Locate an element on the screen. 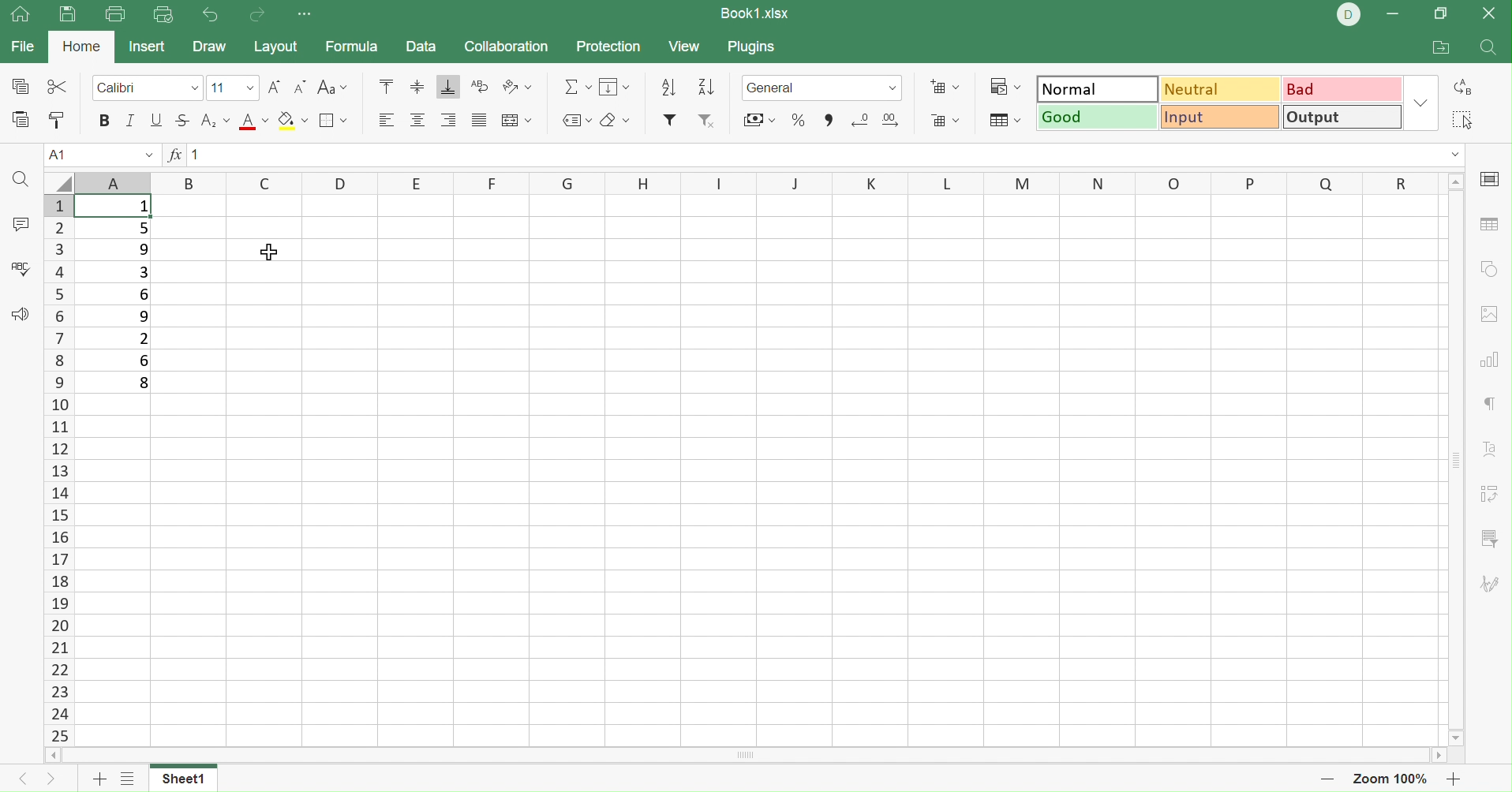 This screenshot has height=792, width=1512. Scroll up is located at coordinates (1454, 180).